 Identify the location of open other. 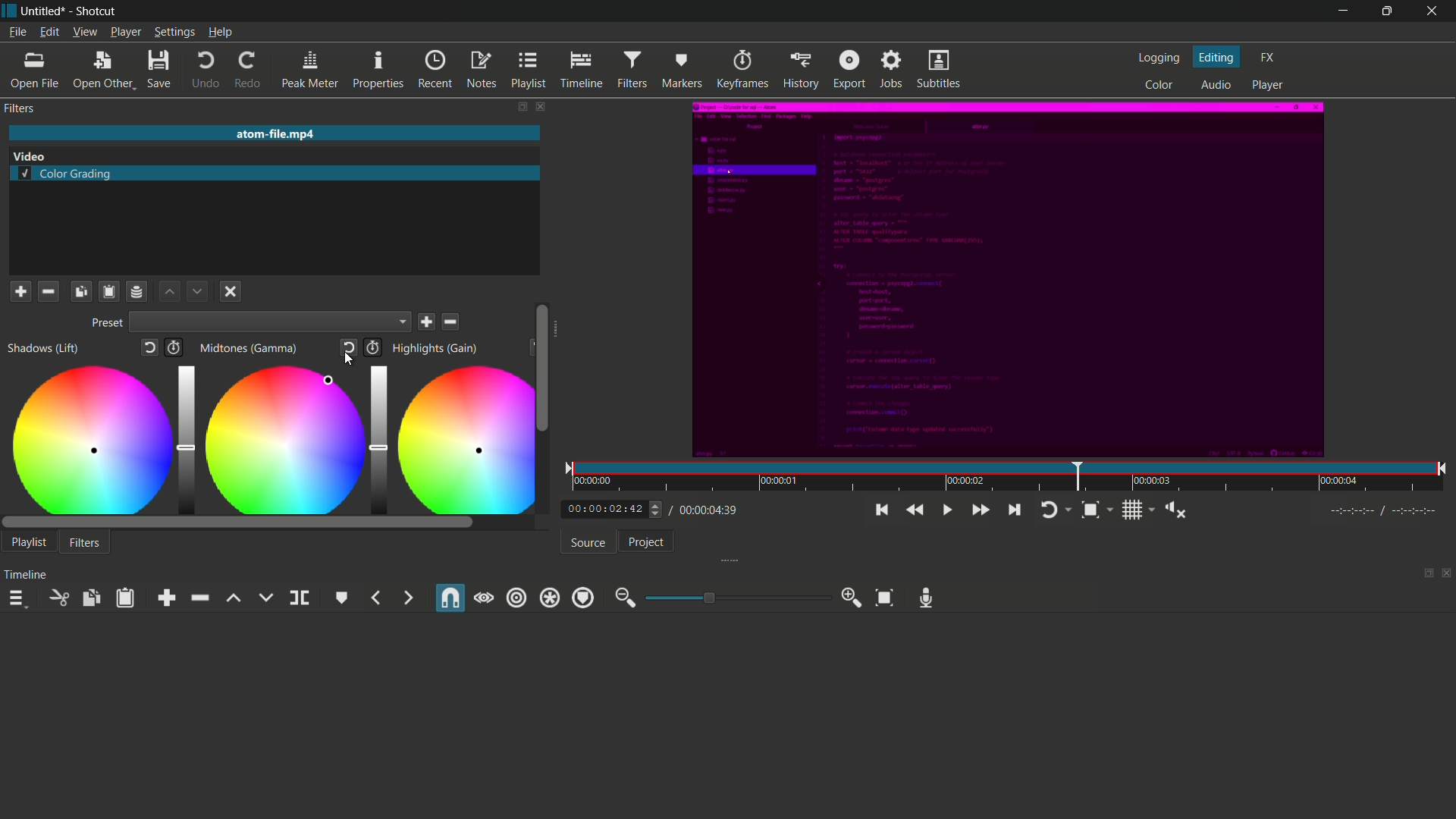
(102, 72).